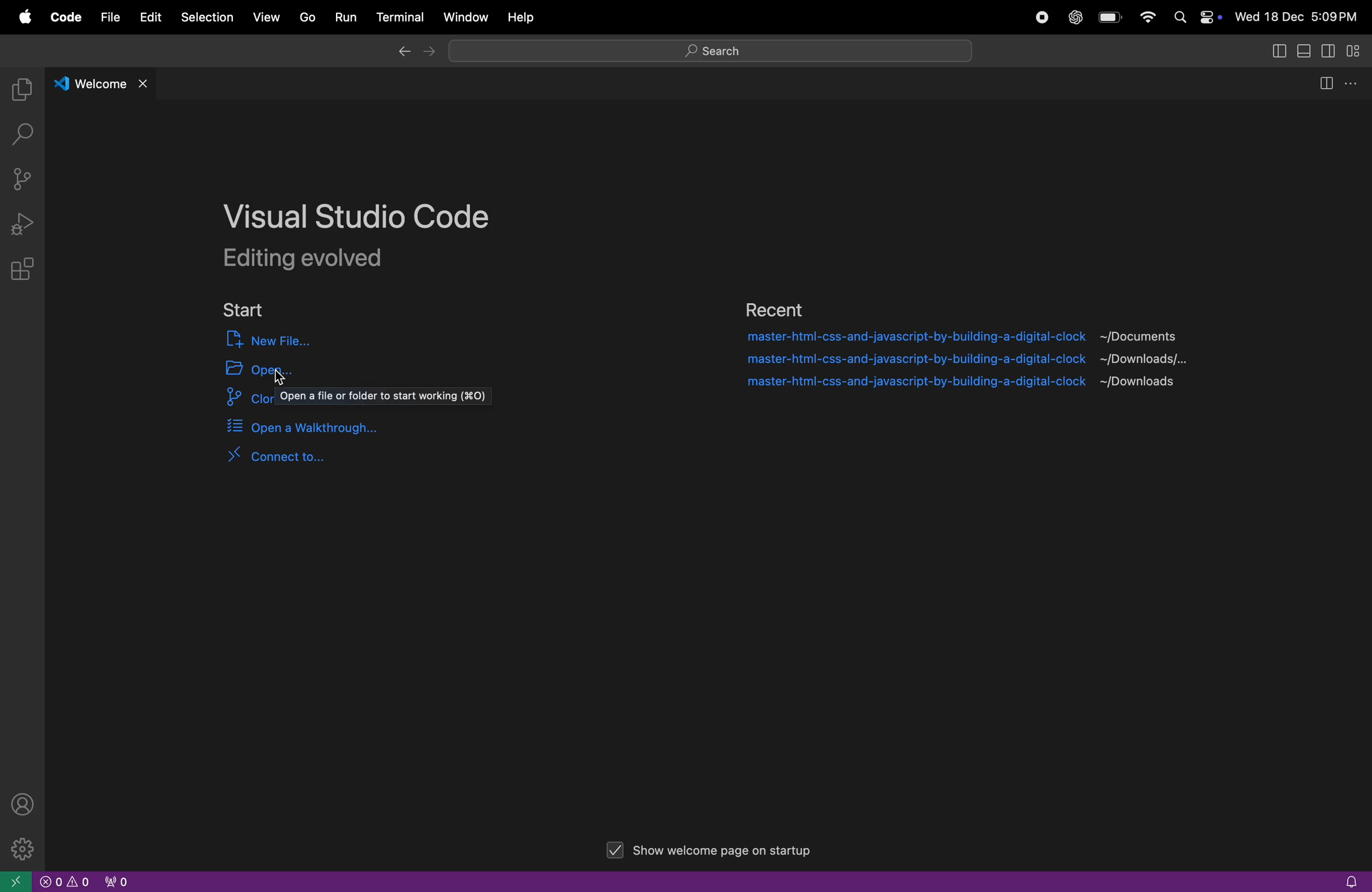  What do you see at coordinates (1340, 880) in the screenshot?
I see `alert` at bounding box center [1340, 880].